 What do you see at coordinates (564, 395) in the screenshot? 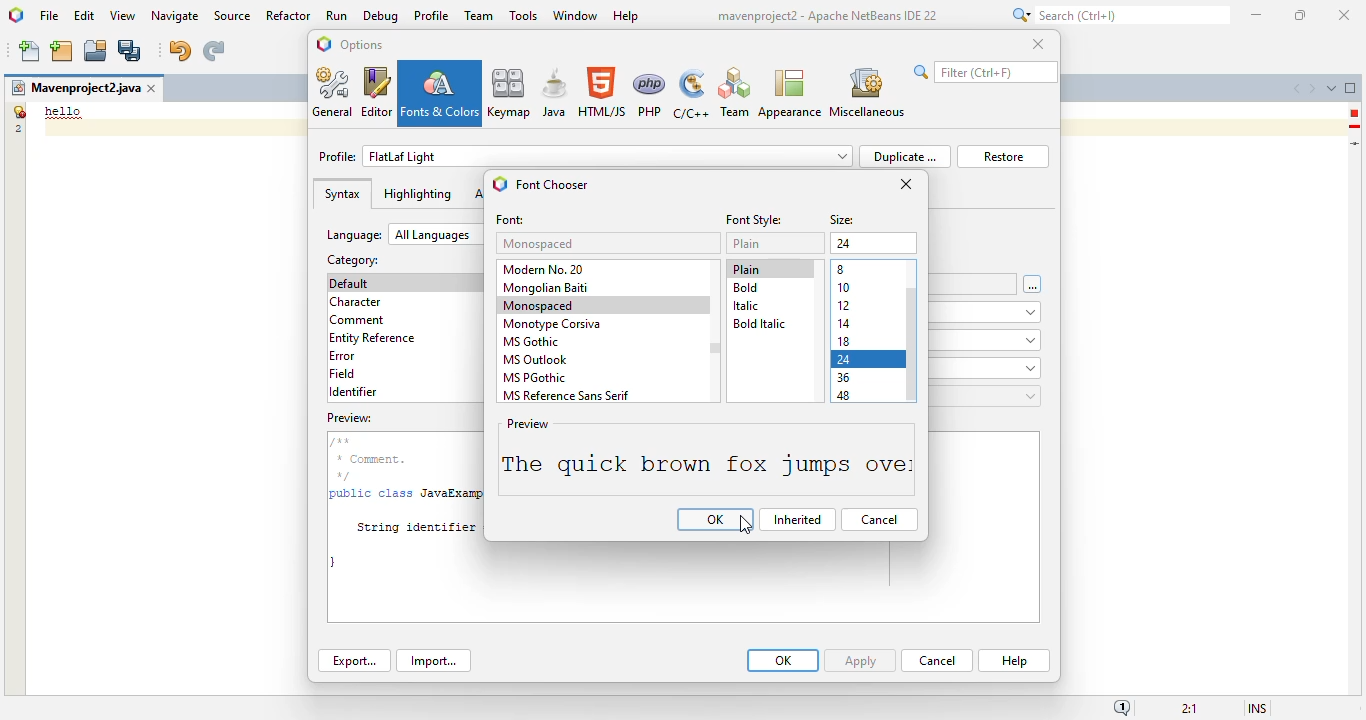
I see `MS reference sans serif` at bounding box center [564, 395].